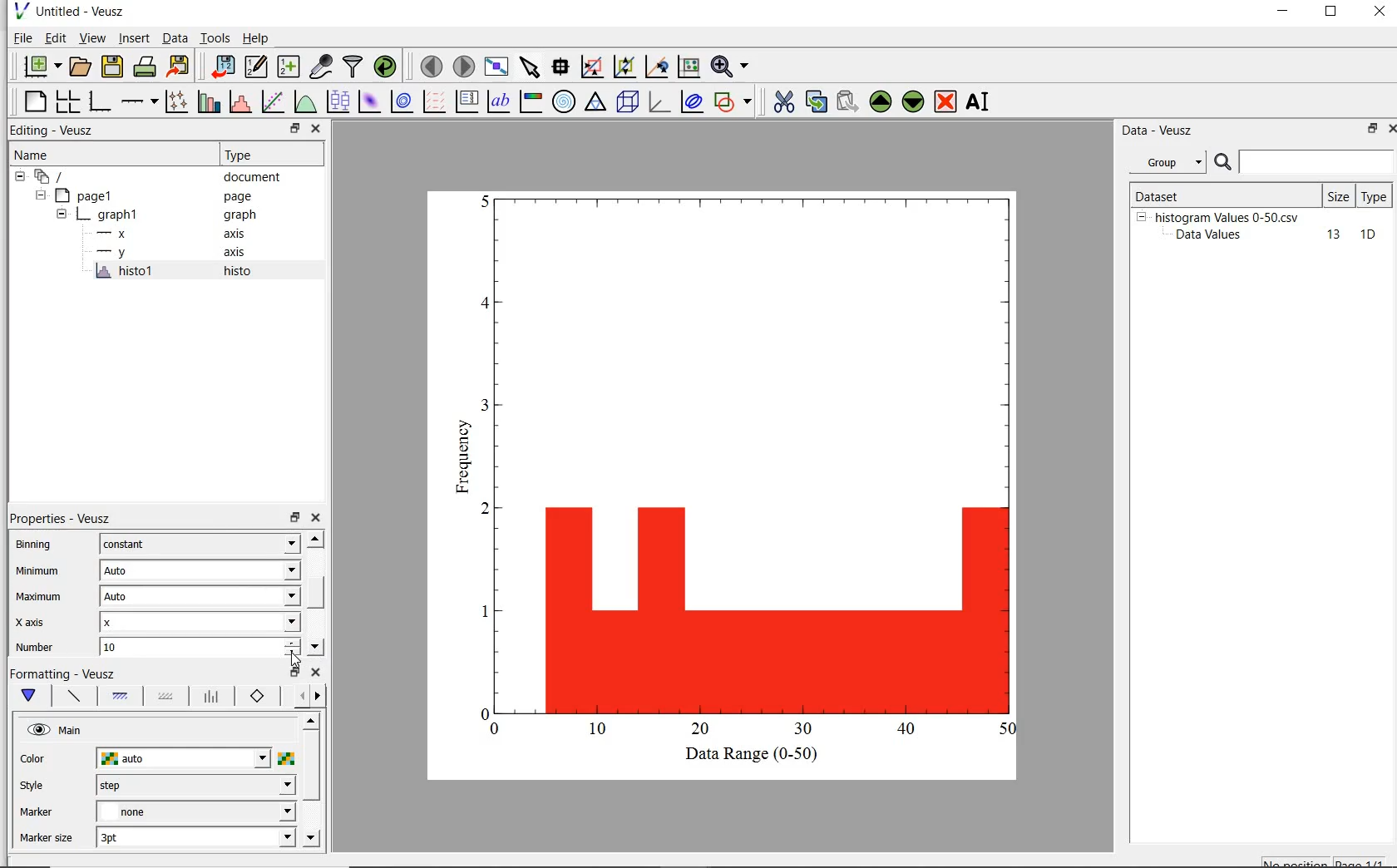 This screenshot has height=868, width=1397. Describe the element at coordinates (295, 659) in the screenshot. I see `cursor` at that location.